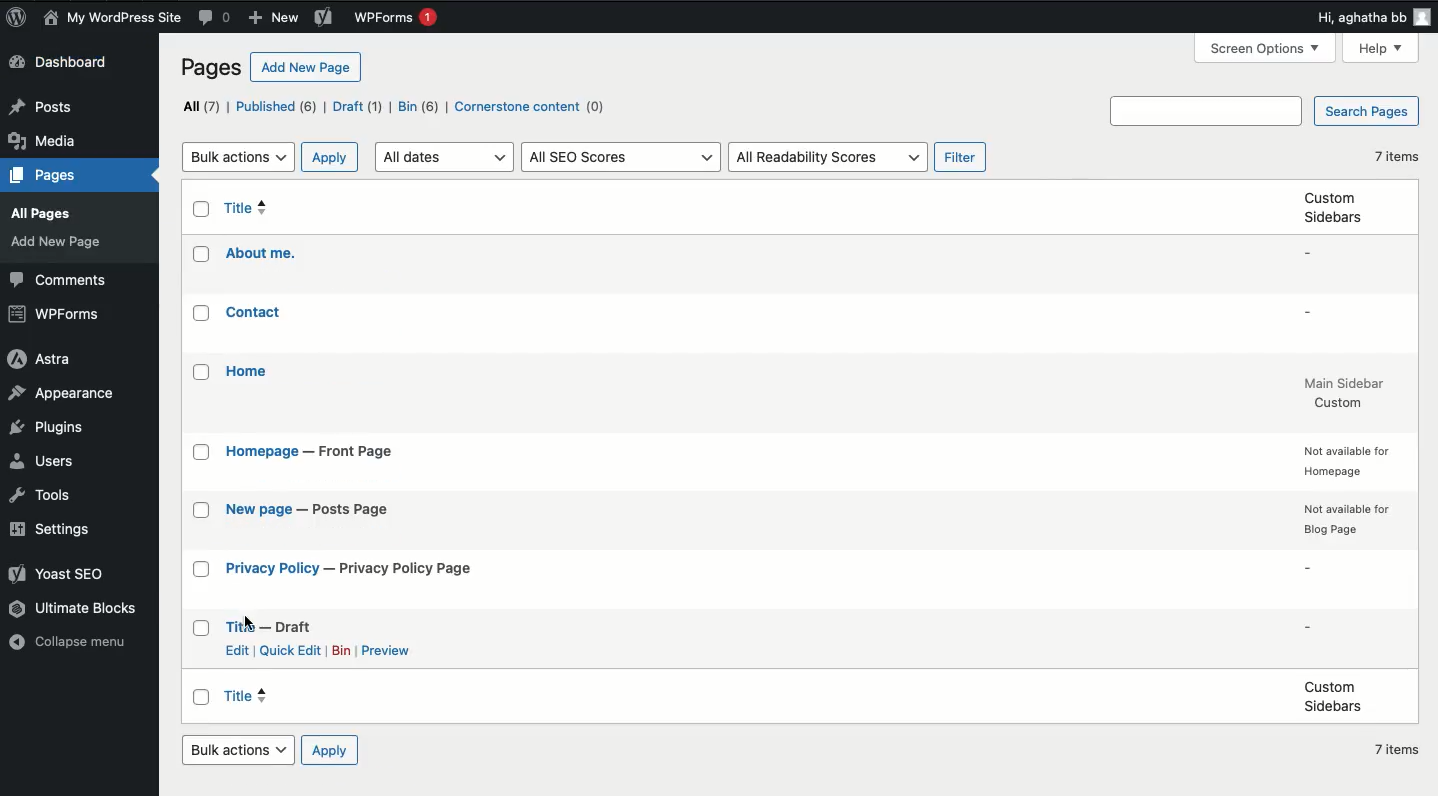  What do you see at coordinates (394, 18) in the screenshot?
I see `WPForms` at bounding box center [394, 18].